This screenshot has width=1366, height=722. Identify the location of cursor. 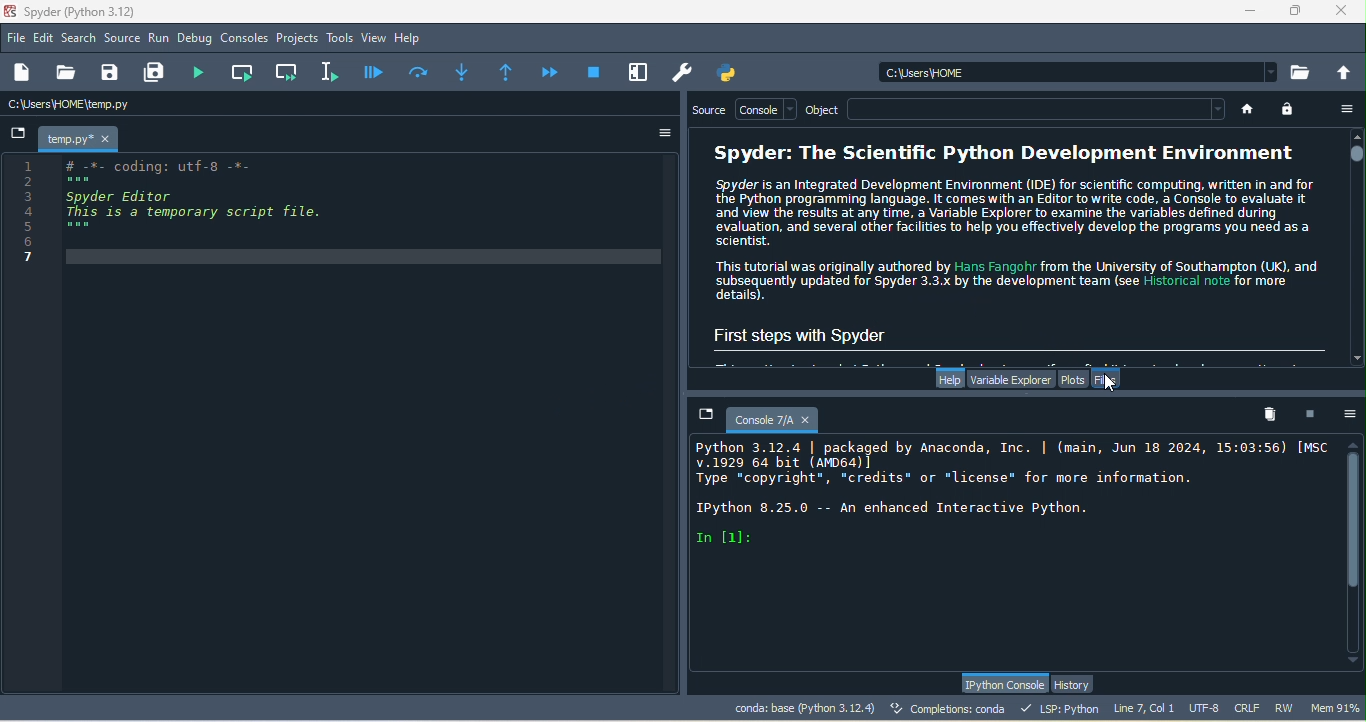
(1114, 384).